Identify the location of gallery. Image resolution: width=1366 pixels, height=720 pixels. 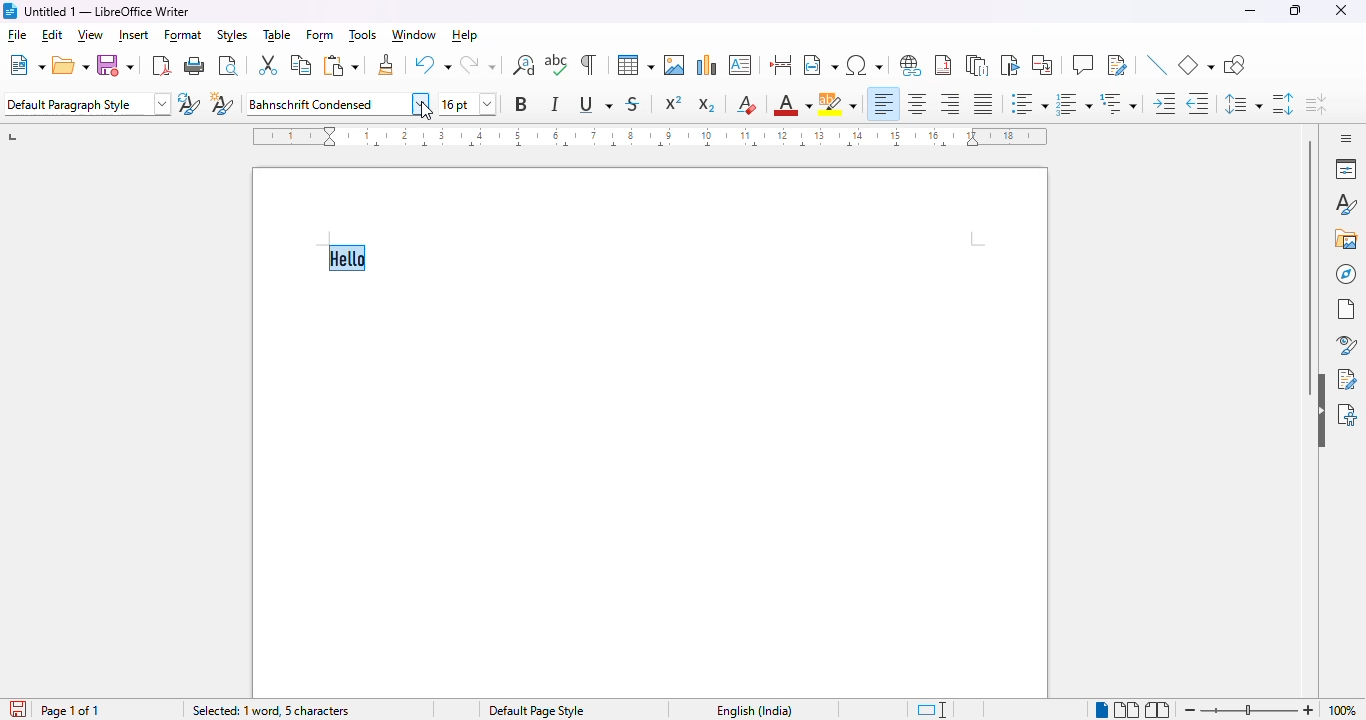
(1346, 239).